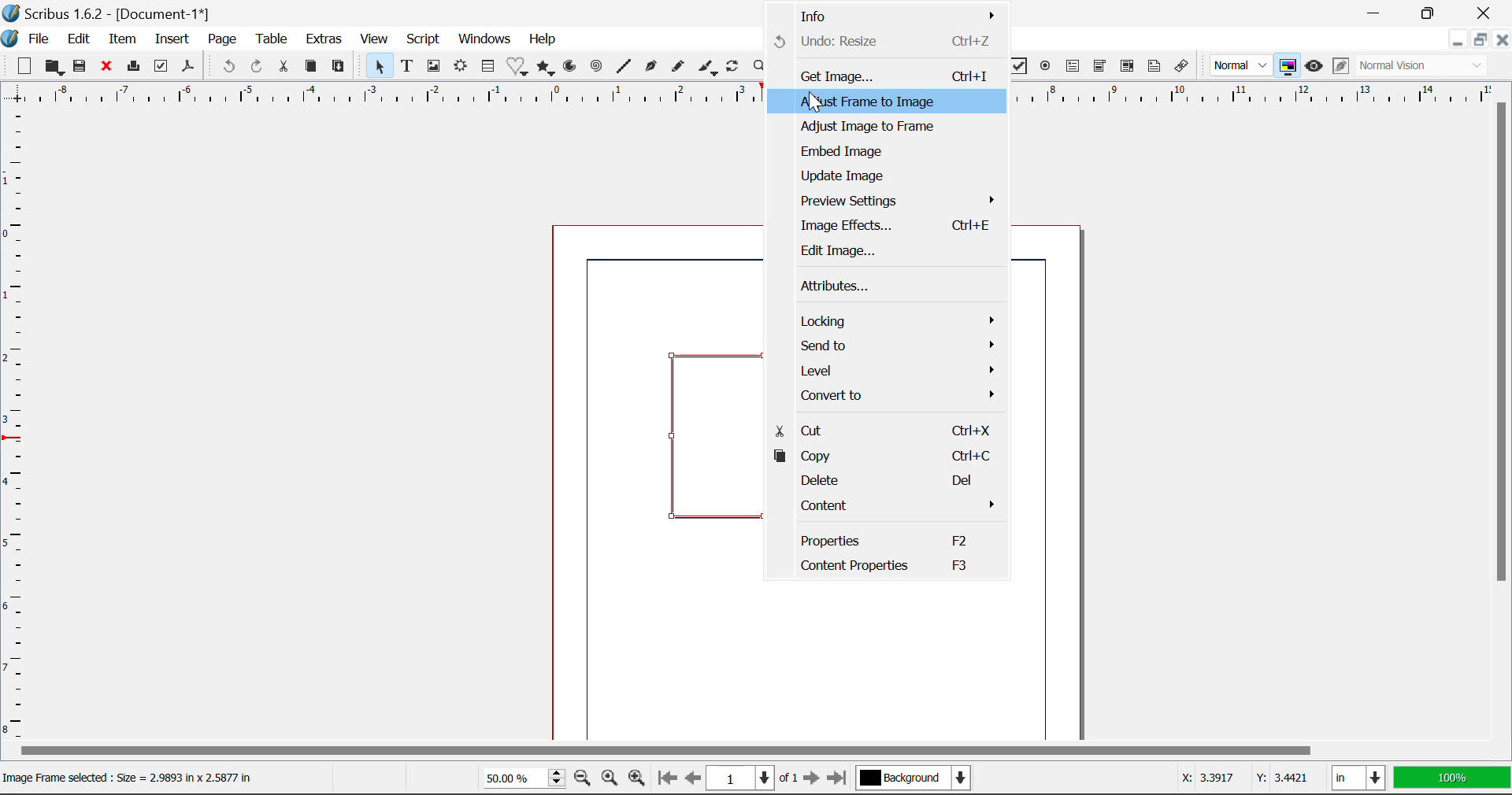  Describe the element at coordinates (573, 68) in the screenshot. I see `Arc` at that location.